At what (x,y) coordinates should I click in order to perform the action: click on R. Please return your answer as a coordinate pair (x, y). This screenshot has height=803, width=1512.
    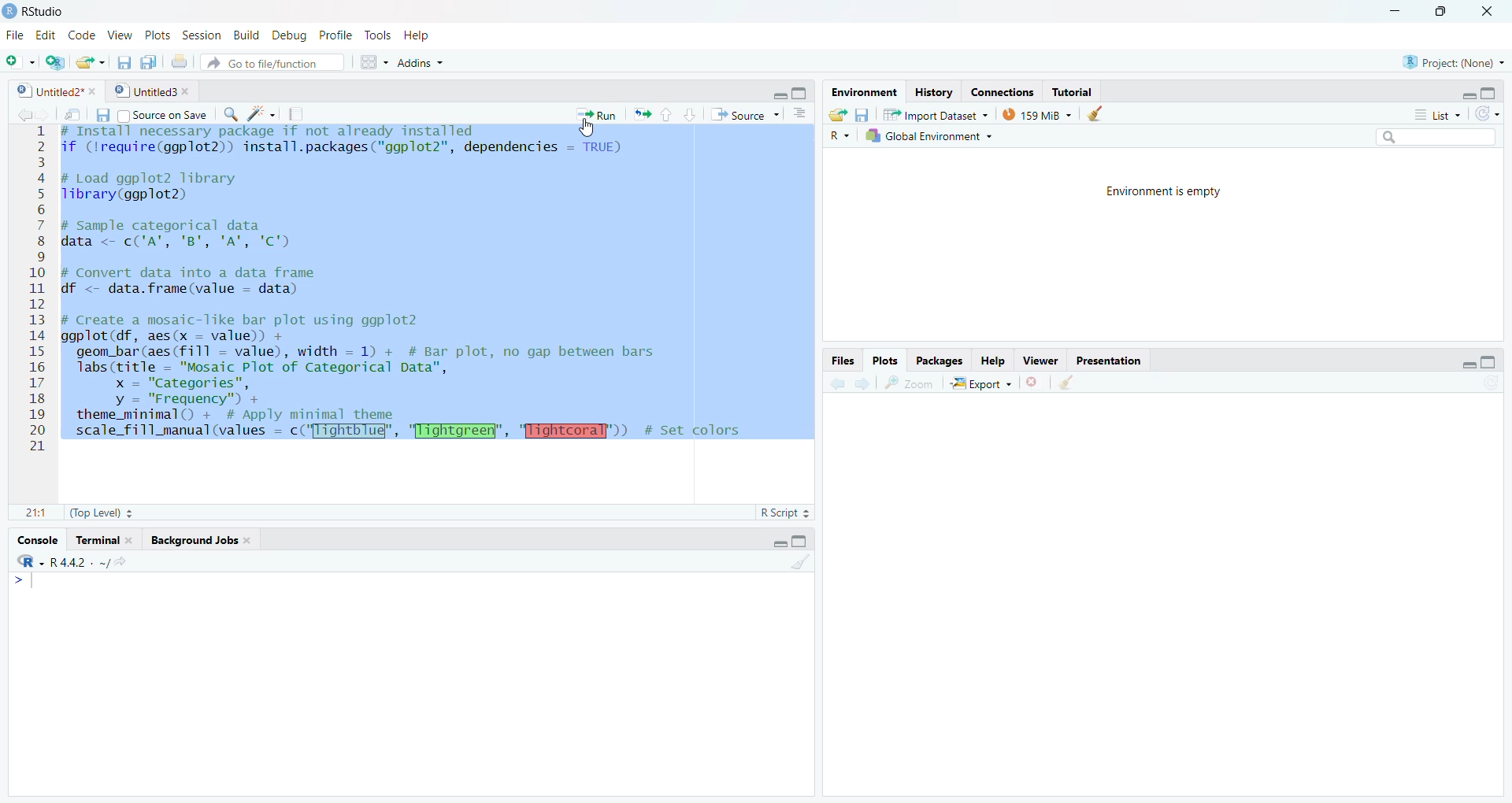
    Looking at the image, I should click on (31, 562).